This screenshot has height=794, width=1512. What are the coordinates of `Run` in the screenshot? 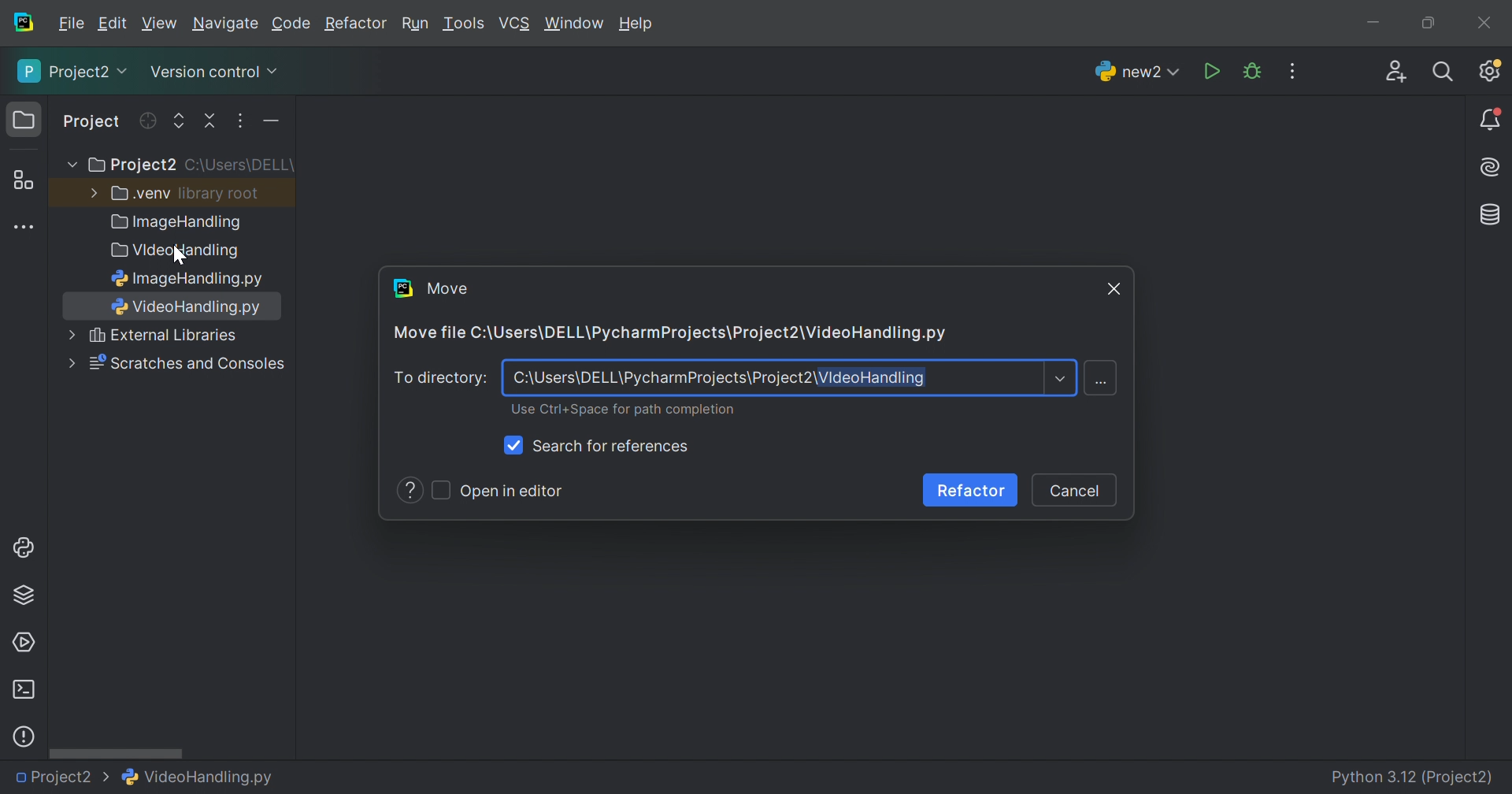 It's located at (1214, 72).